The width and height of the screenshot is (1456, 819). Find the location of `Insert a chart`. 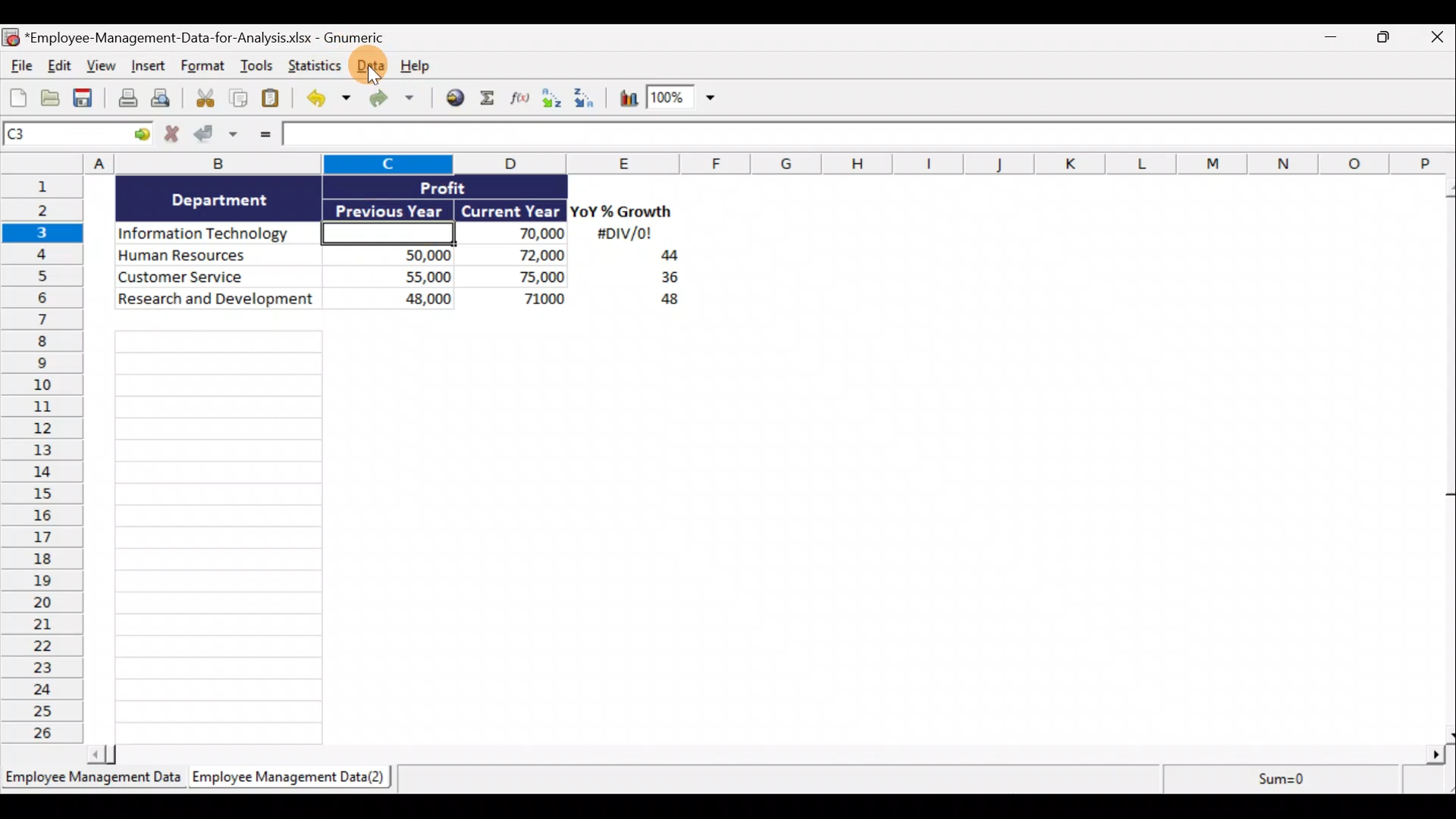

Insert a chart is located at coordinates (622, 97).